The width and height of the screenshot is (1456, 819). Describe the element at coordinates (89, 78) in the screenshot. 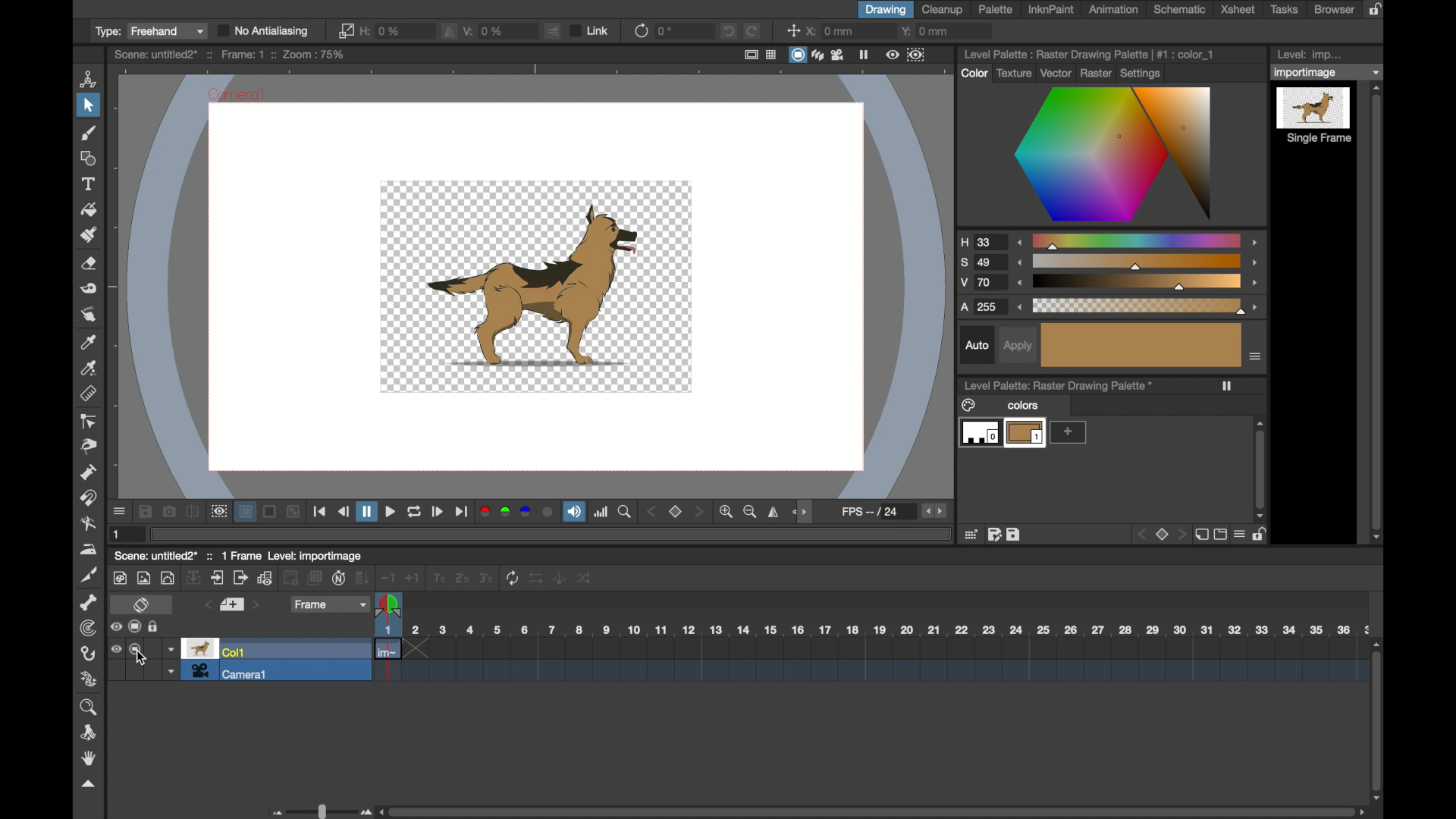

I see `animate tool` at that location.